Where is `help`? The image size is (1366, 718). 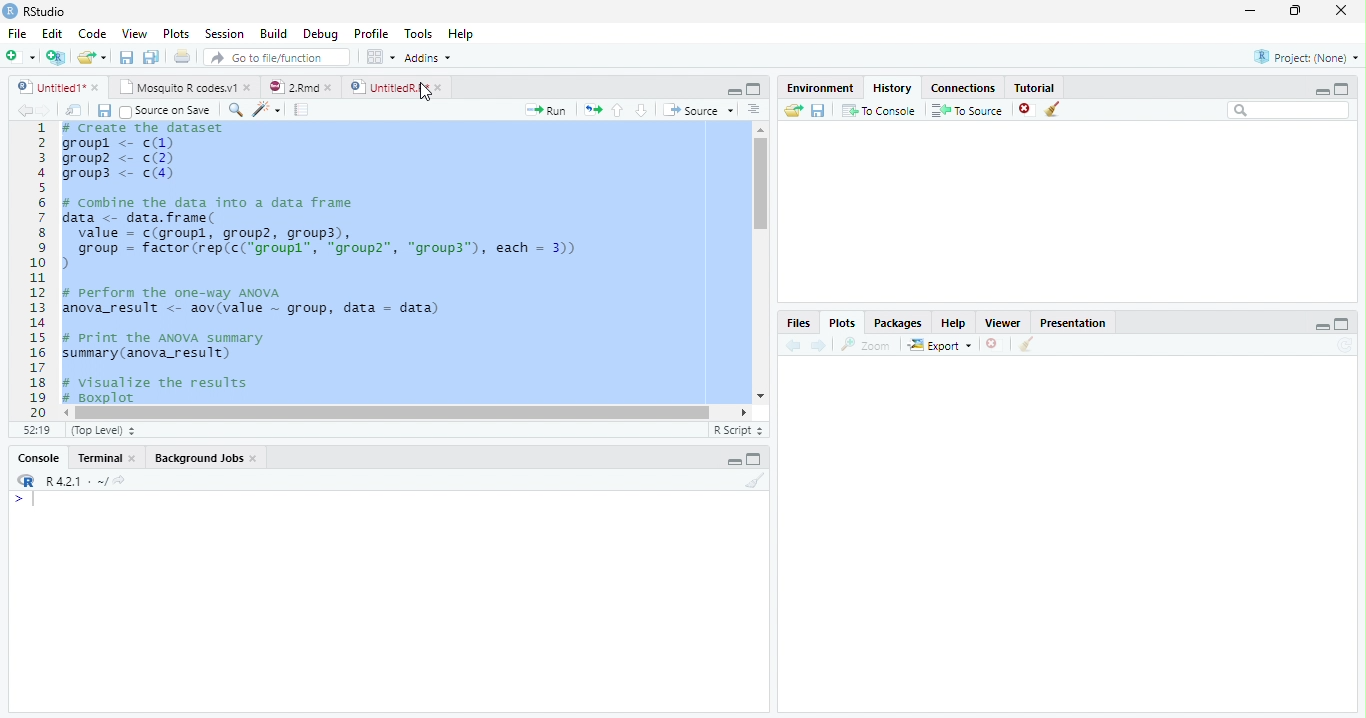
help is located at coordinates (954, 323).